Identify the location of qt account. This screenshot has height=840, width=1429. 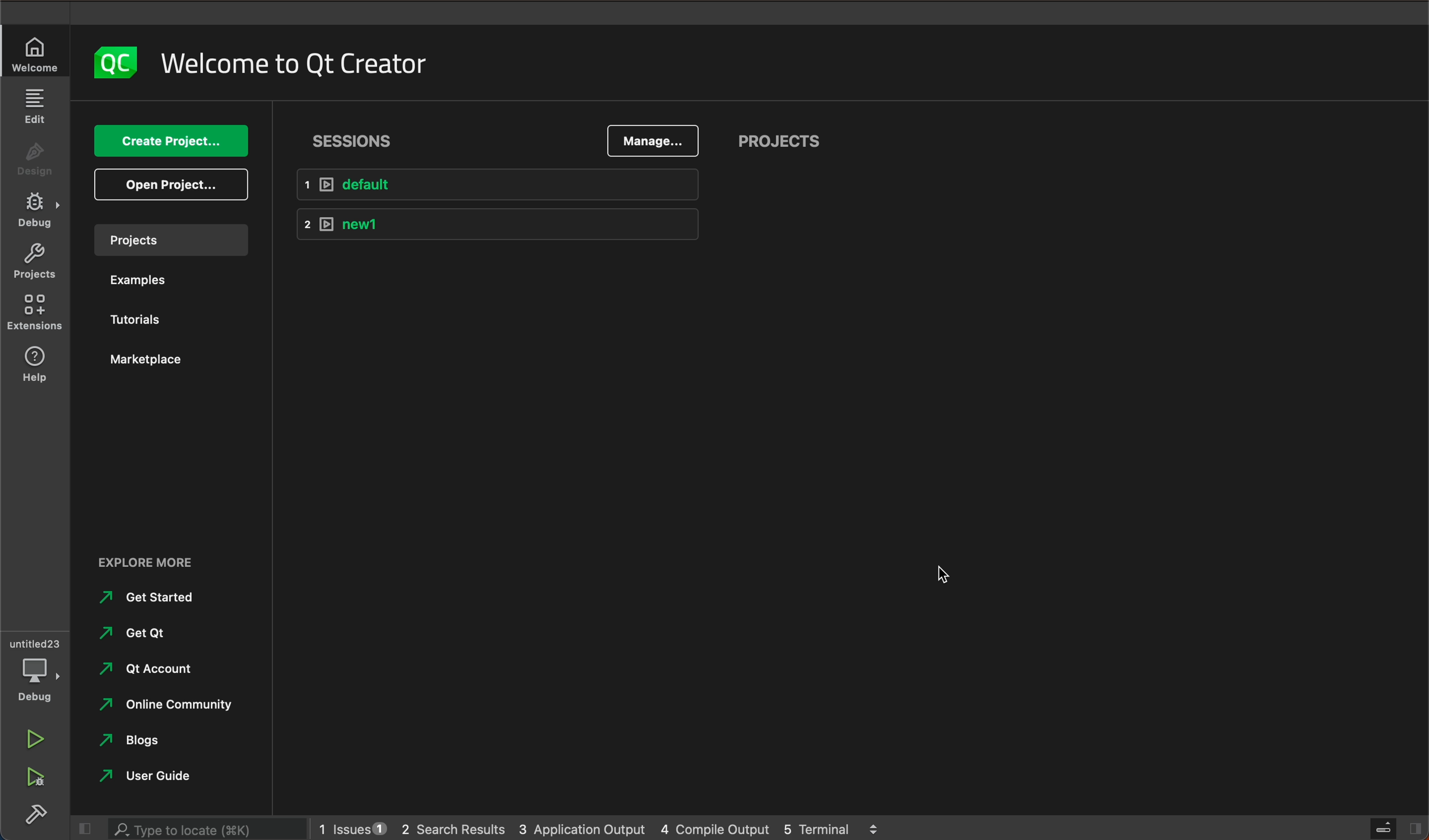
(164, 670).